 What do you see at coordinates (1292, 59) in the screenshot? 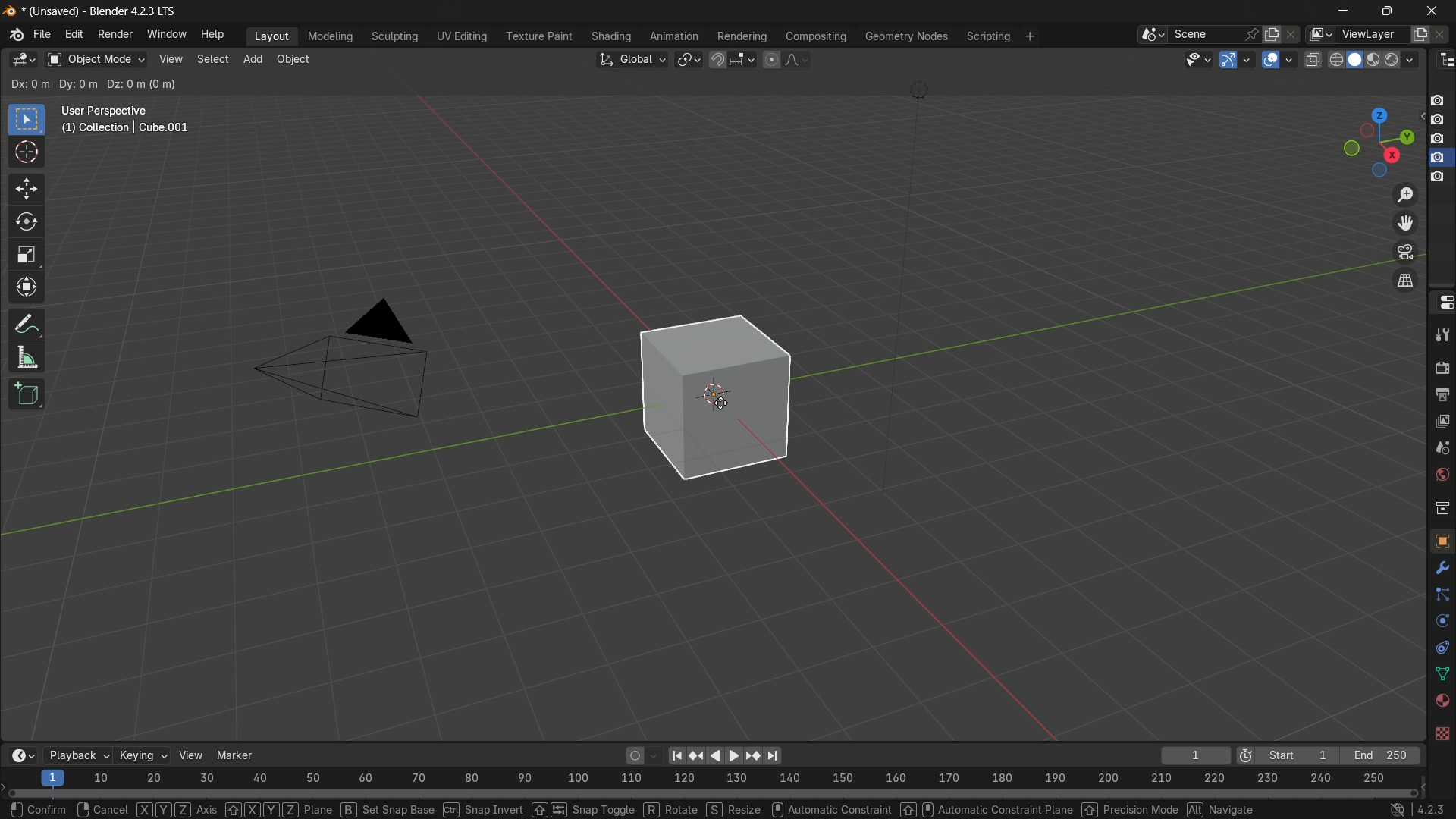
I see `overlay dropdown` at bounding box center [1292, 59].